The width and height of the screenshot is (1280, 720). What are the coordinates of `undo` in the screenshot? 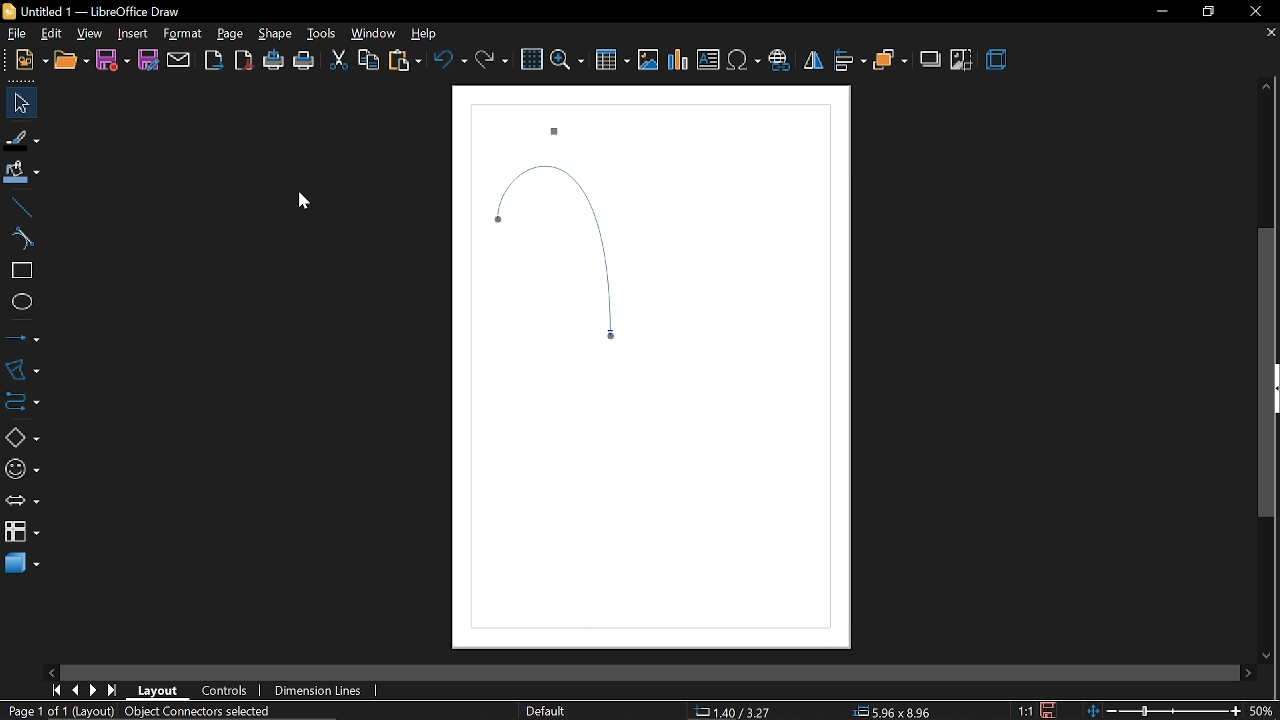 It's located at (450, 61).